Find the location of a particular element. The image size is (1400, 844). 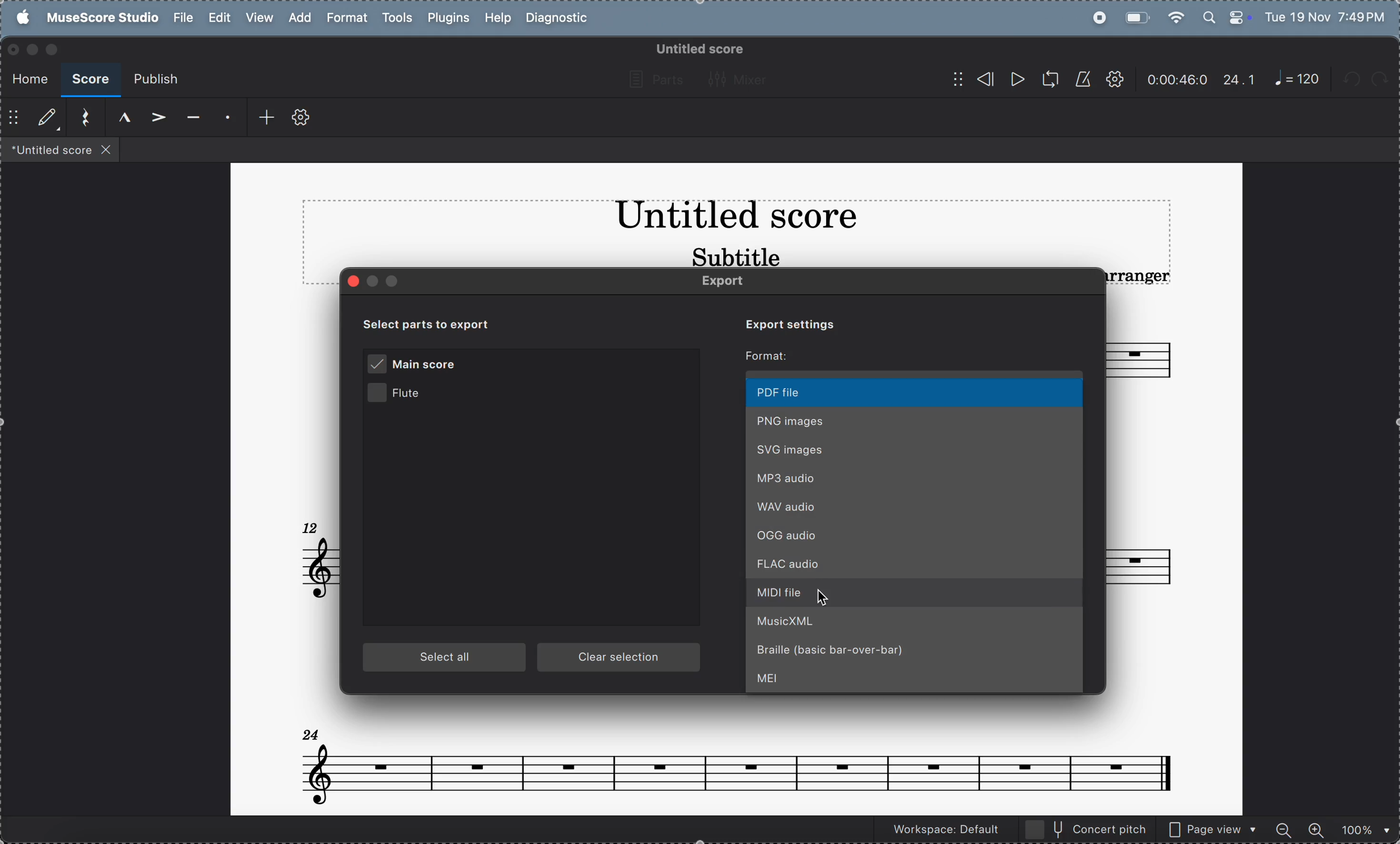

parts is located at coordinates (653, 80).